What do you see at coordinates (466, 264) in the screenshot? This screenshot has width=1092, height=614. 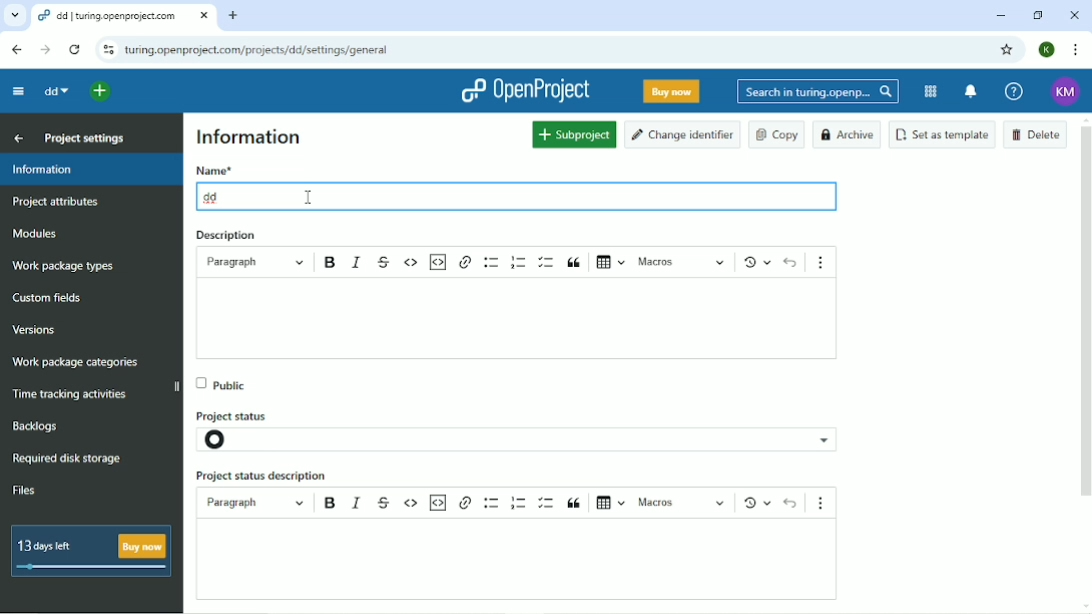 I see `hyperlink` at bounding box center [466, 264].